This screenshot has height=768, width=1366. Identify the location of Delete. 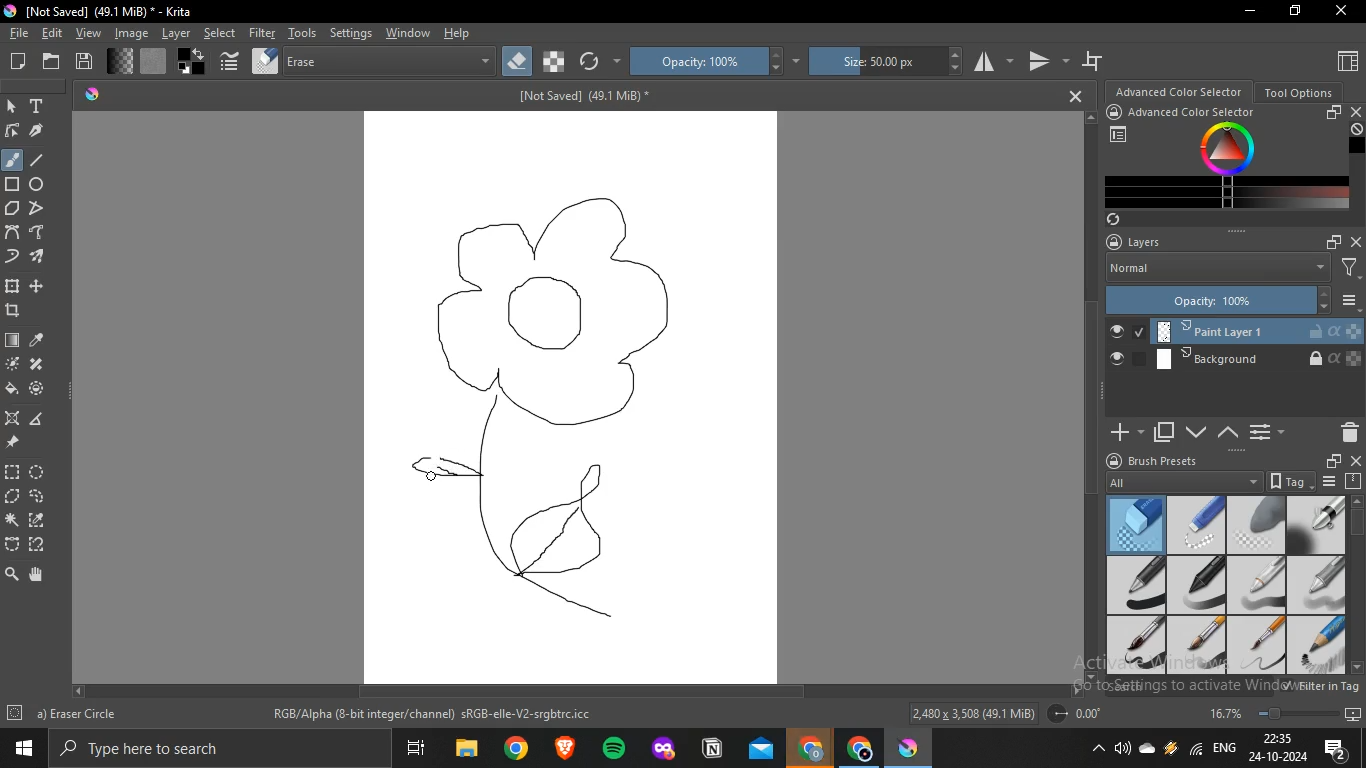
(1345, 433).